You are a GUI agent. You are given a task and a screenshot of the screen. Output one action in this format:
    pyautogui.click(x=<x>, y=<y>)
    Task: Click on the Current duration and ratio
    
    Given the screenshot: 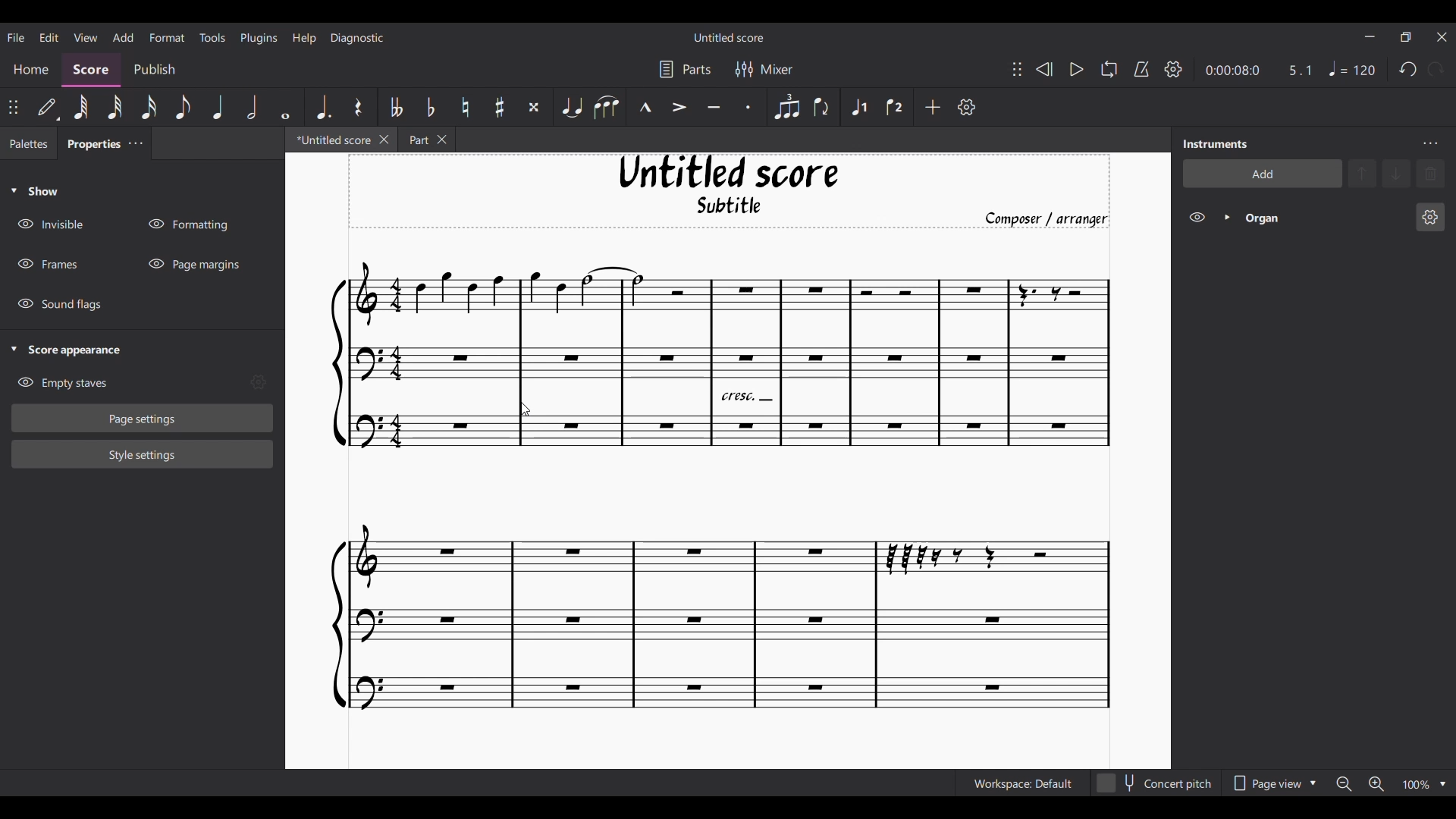 What is the action you would take?
    pyautogui.click(x=1258, y=70)
    